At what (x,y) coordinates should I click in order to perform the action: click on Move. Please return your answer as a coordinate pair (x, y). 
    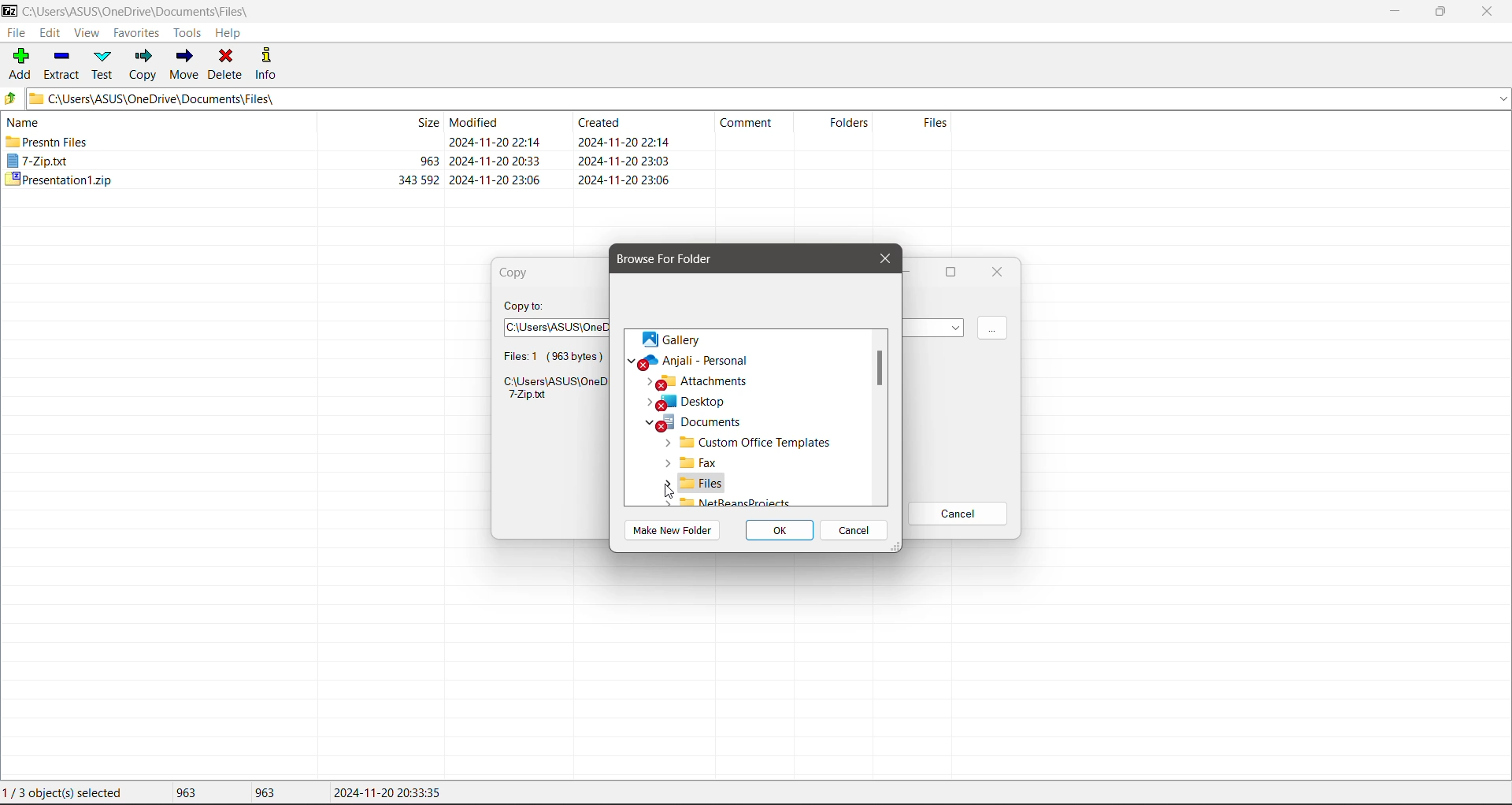
    Looking at the image, I should click on (187, 65).